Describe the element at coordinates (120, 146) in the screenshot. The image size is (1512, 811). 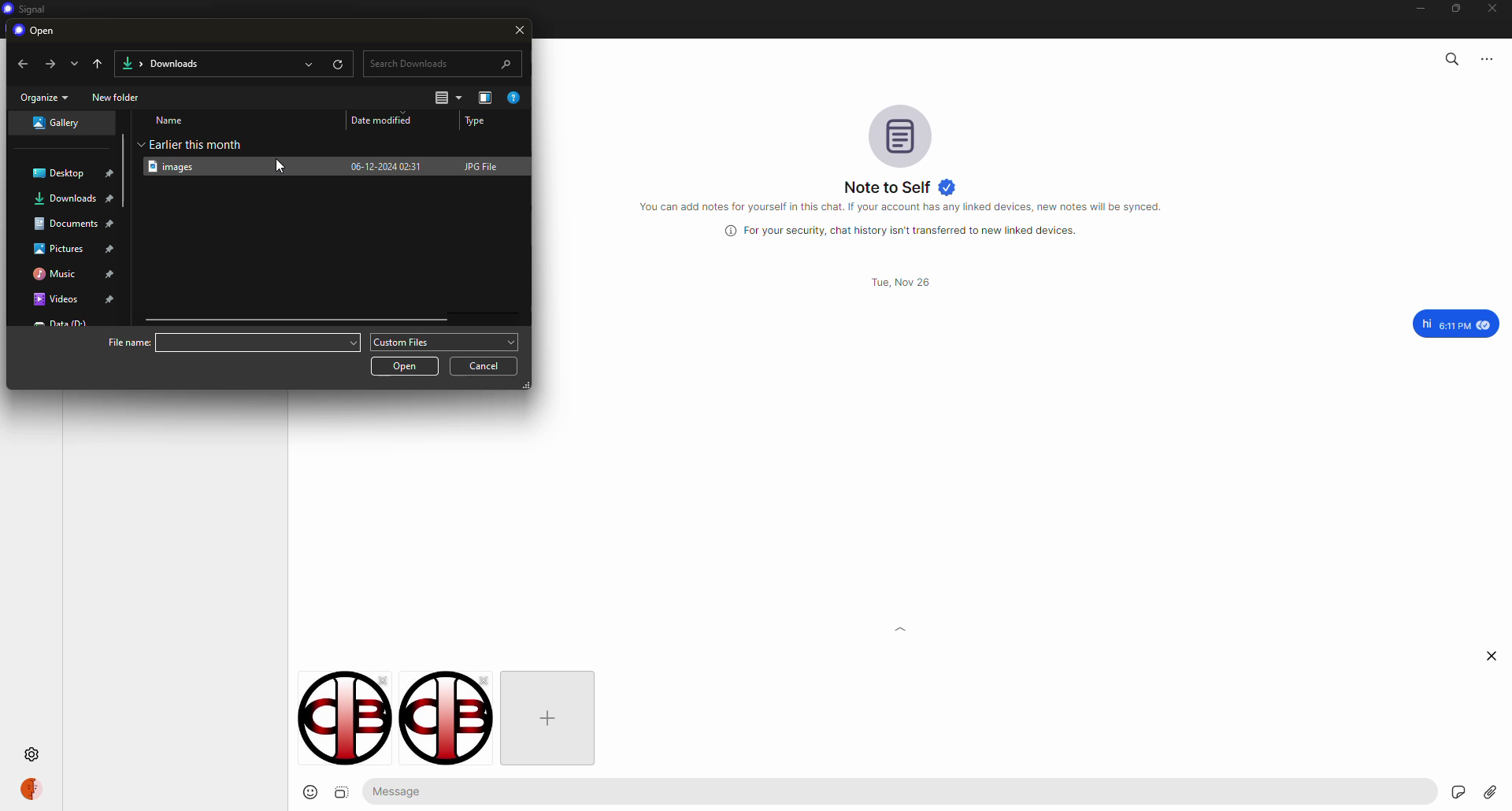
I see `scroll bar` at that location.